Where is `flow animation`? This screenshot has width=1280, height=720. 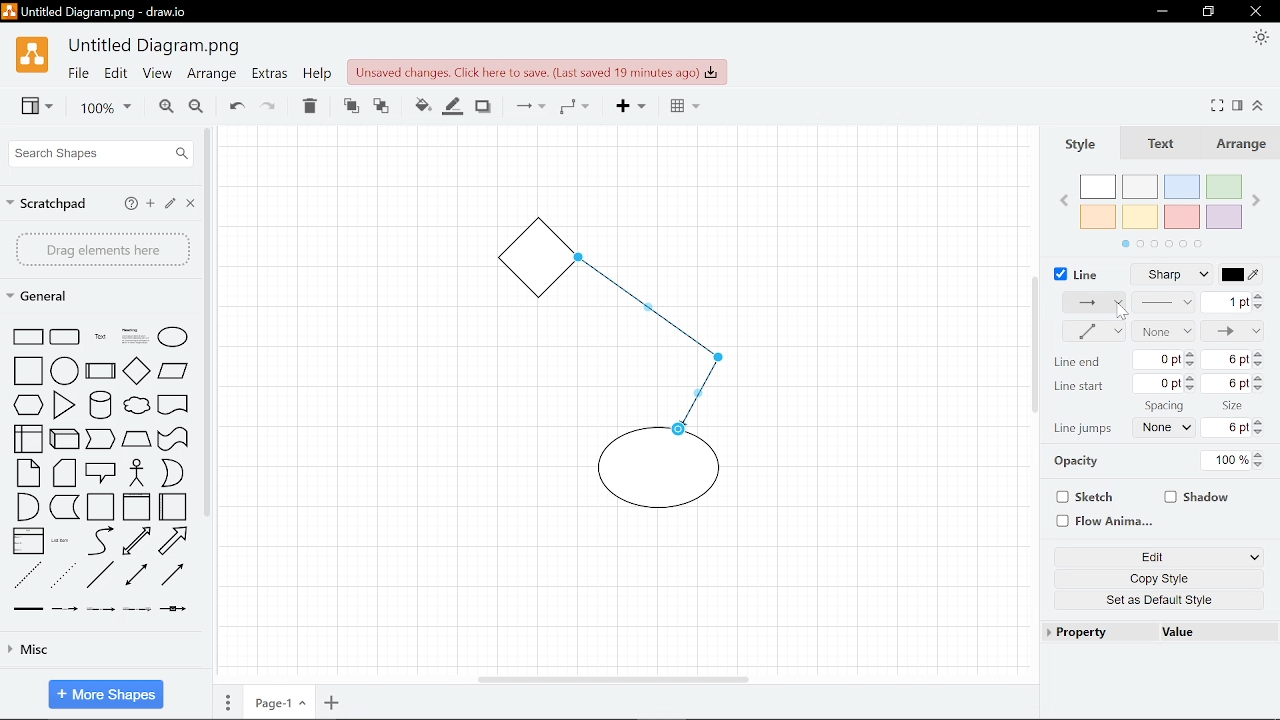 flow animation is located at coordinates (1103, 520).